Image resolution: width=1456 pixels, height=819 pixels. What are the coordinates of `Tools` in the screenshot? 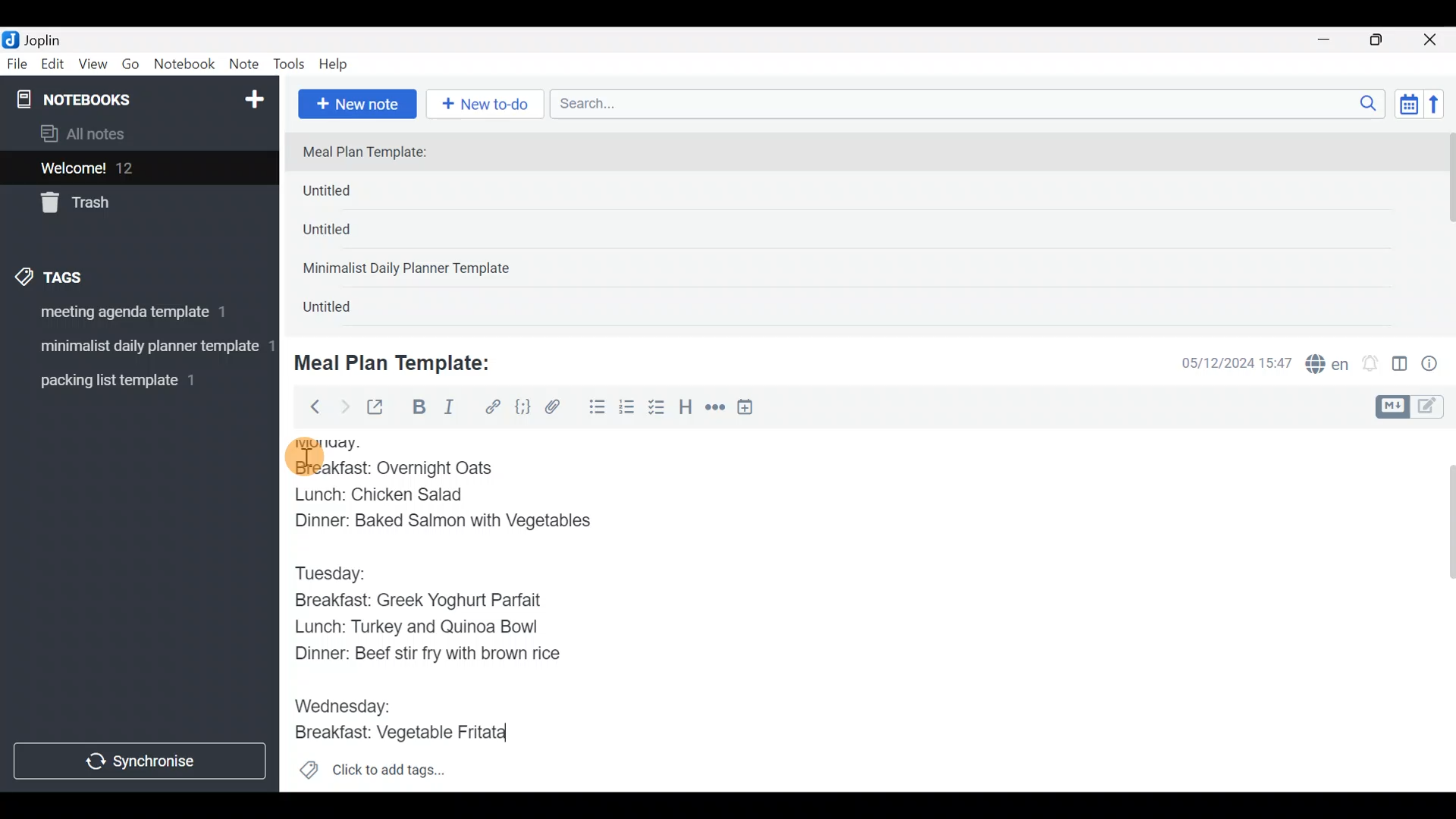 It's located at (290, 65).